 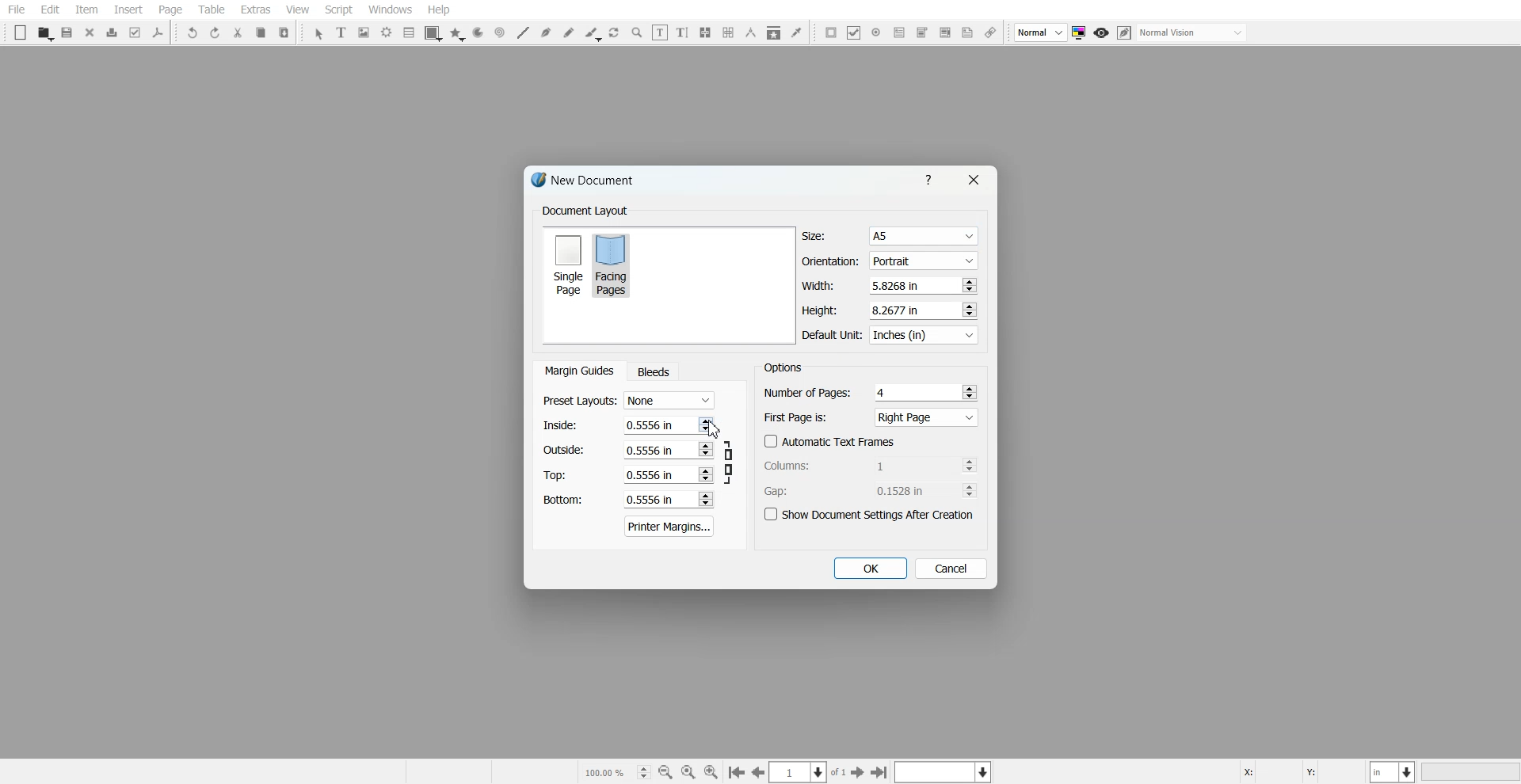 What do you see at coordinates (704, 424) in the screenshot?
I see `Increase and decrease No. ` at bounding box center [704, 424].